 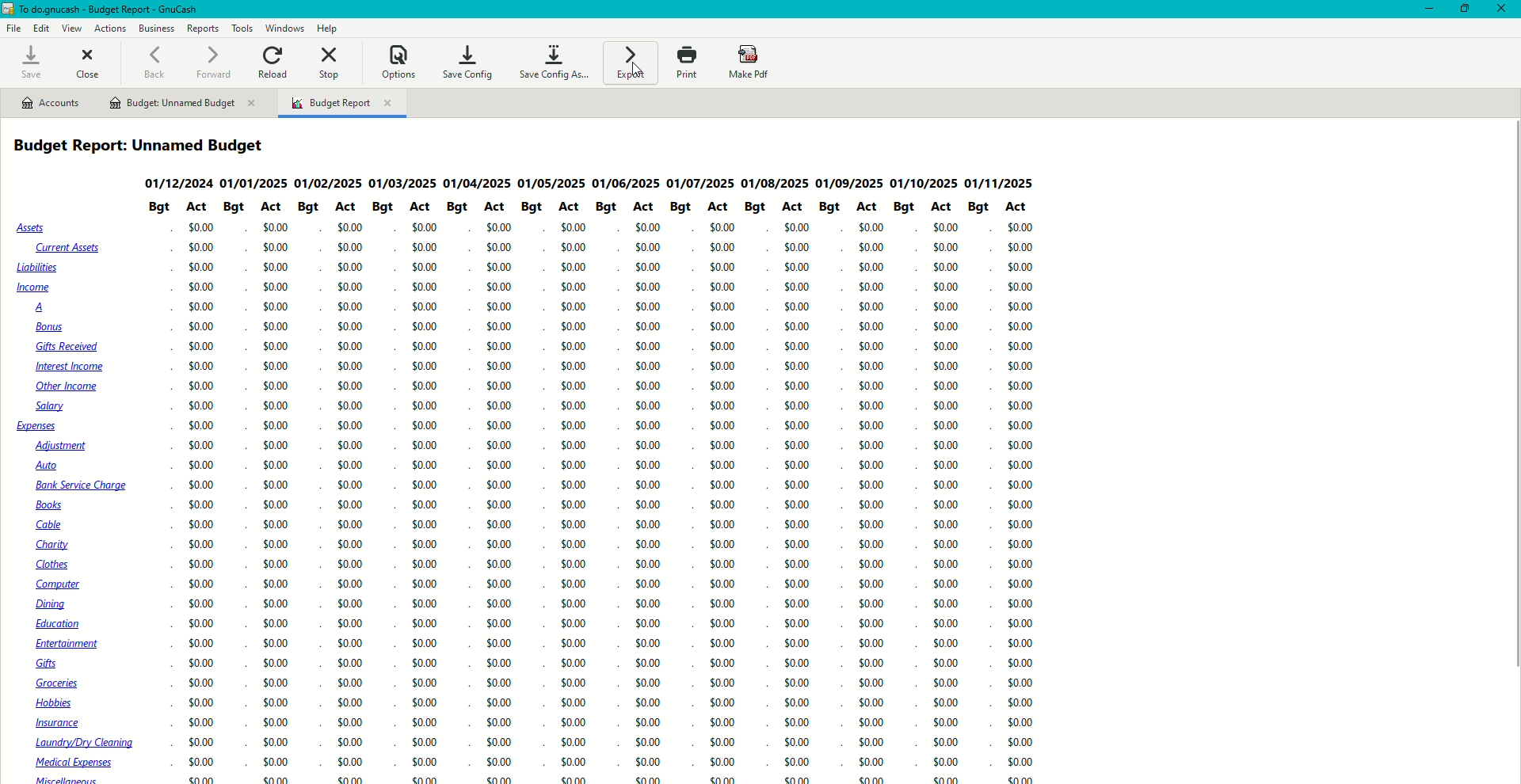 I want to click on $0.00, so click(x=498, y=287).